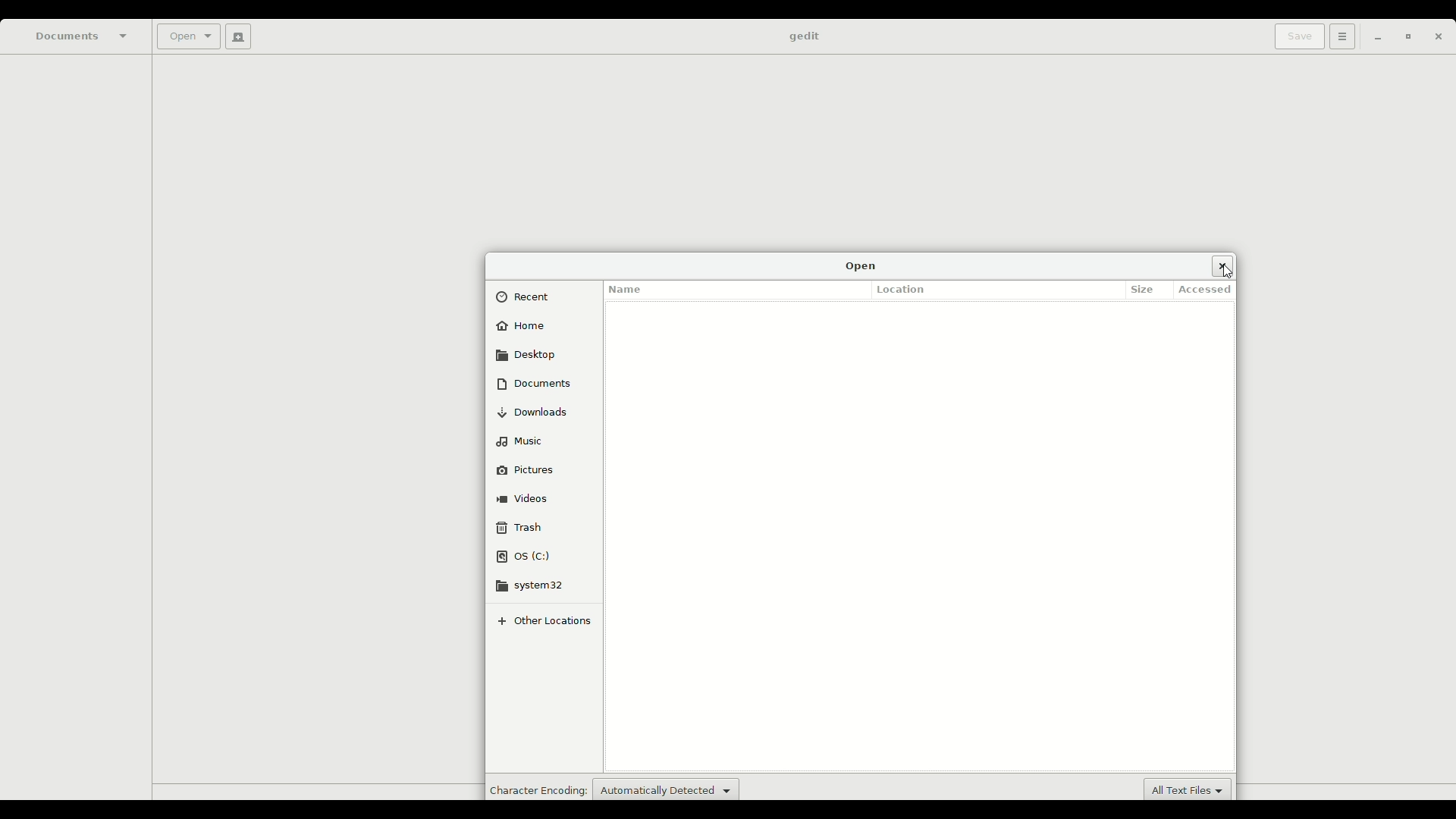 This screenshot has height=819, width=1456. What do you see at coordinates (526, 496) in the screenshot?
I see `Videos` at bounding box center [526, 496].